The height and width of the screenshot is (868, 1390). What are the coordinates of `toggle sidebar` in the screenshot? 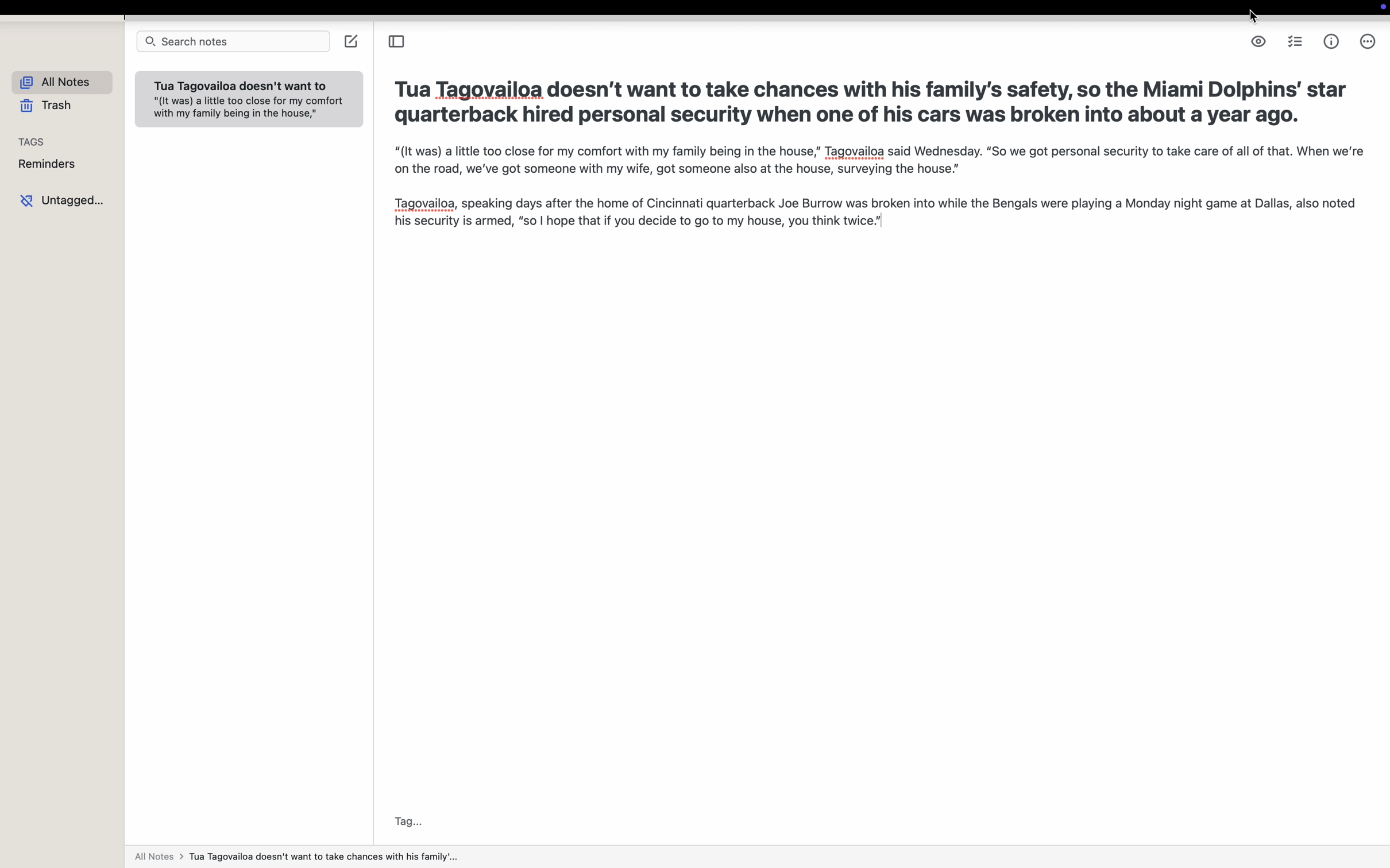 It's located at (396, 40).